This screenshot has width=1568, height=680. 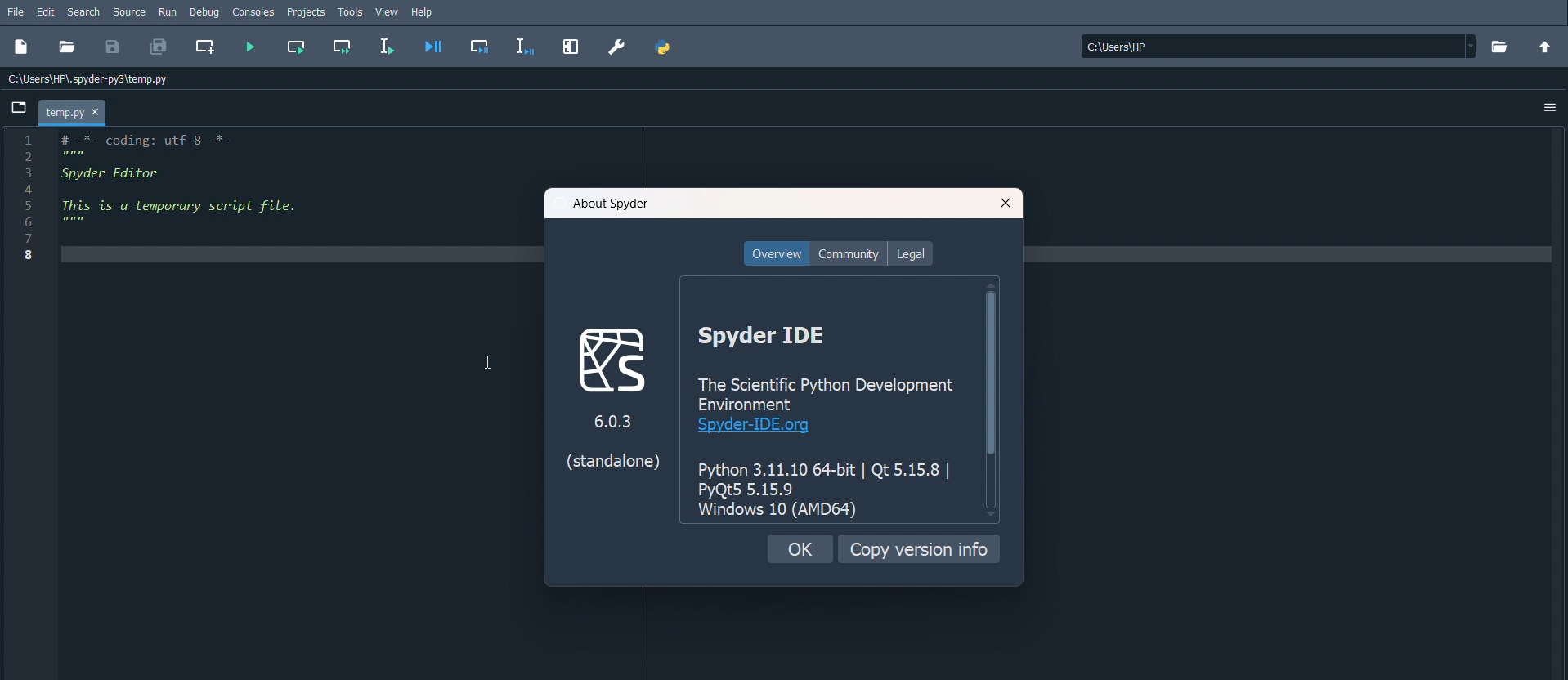 What do you see at coordinates (434, 45) in the screenshot?
I see `Debug file` at bounding box center [434, 45].